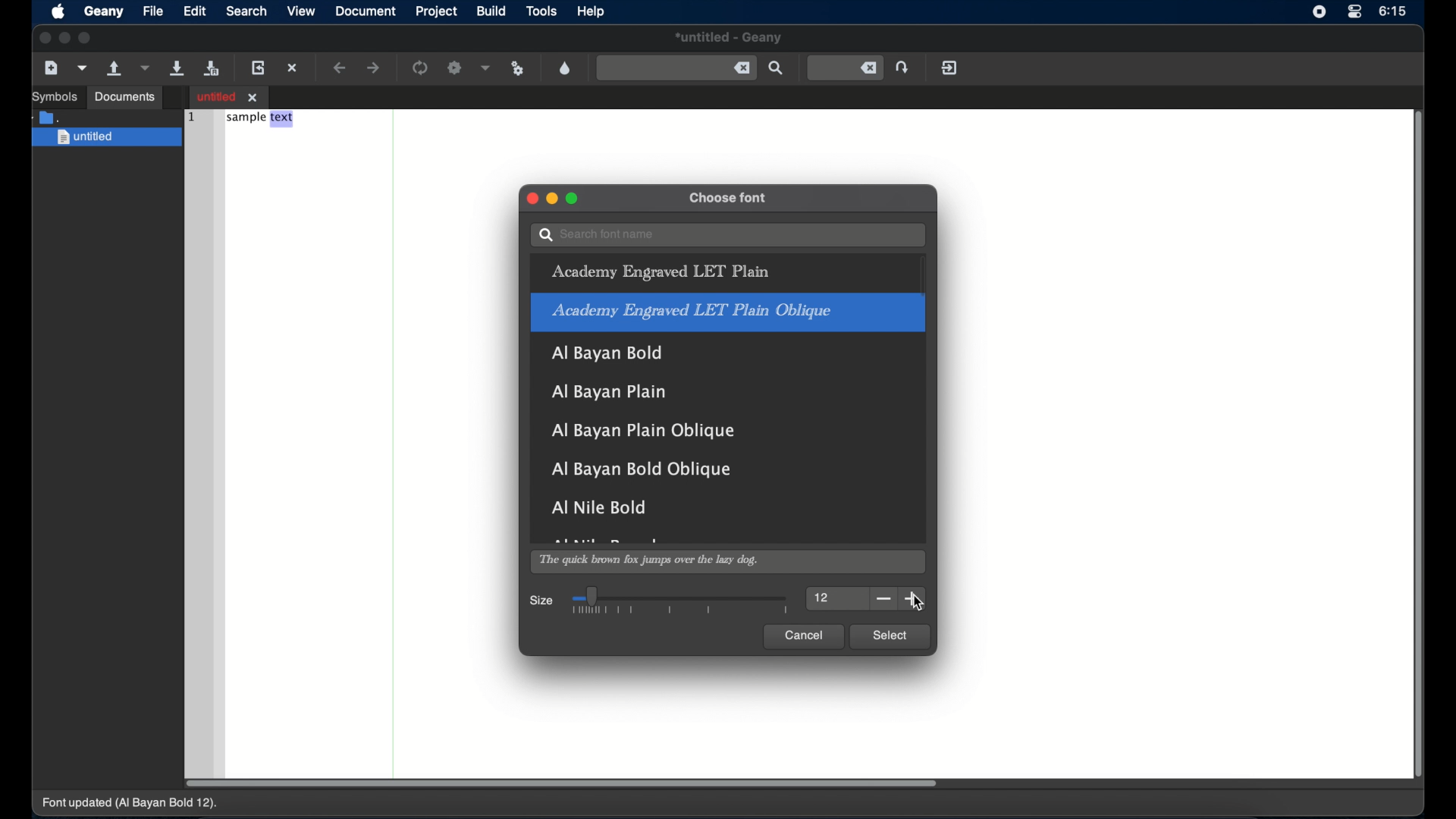 The width and height of the screenshot is (1456, 819). I want to click on maximize, so click(573, 199).